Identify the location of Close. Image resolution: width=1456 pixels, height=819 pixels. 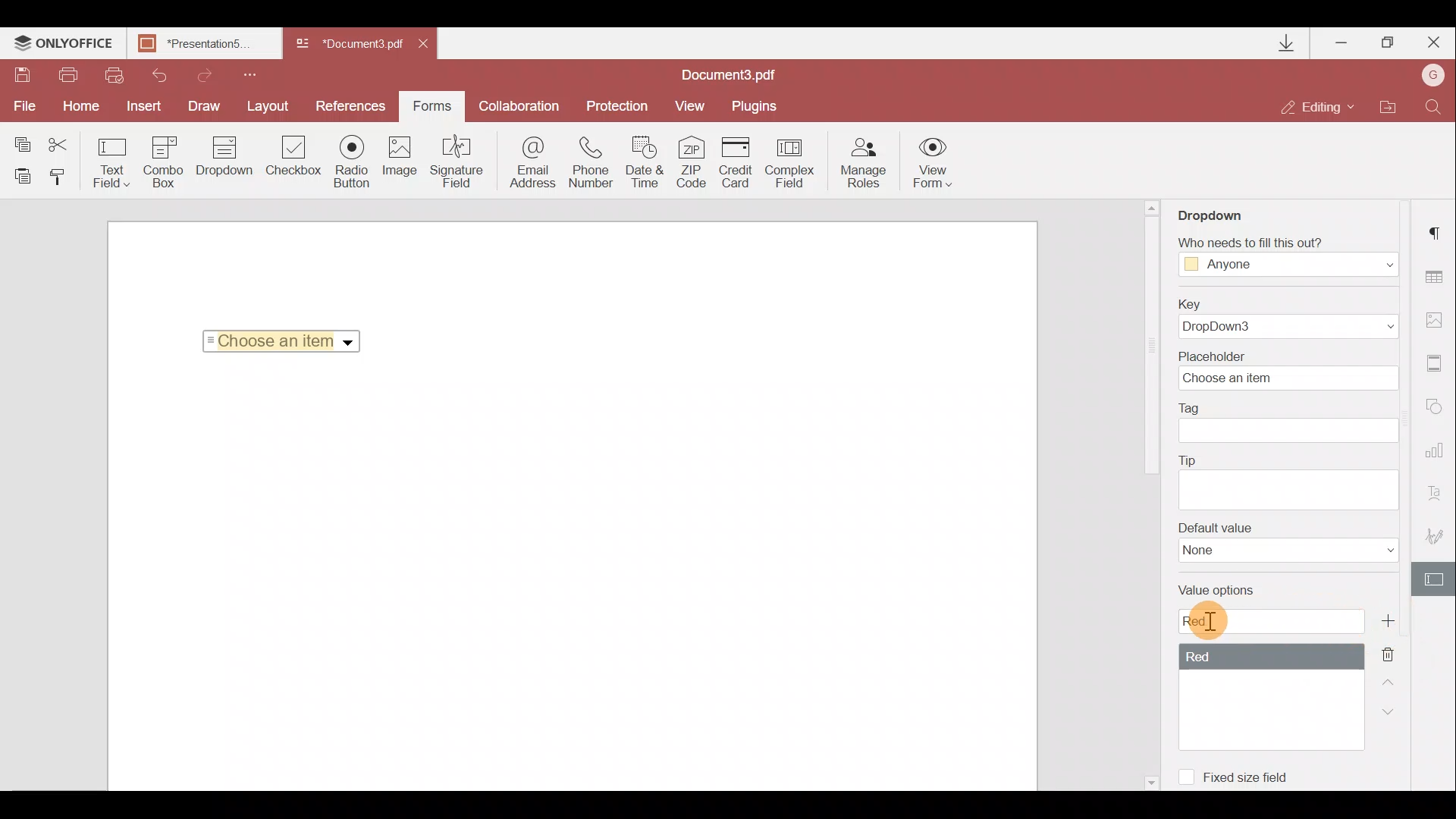
(431, 47).